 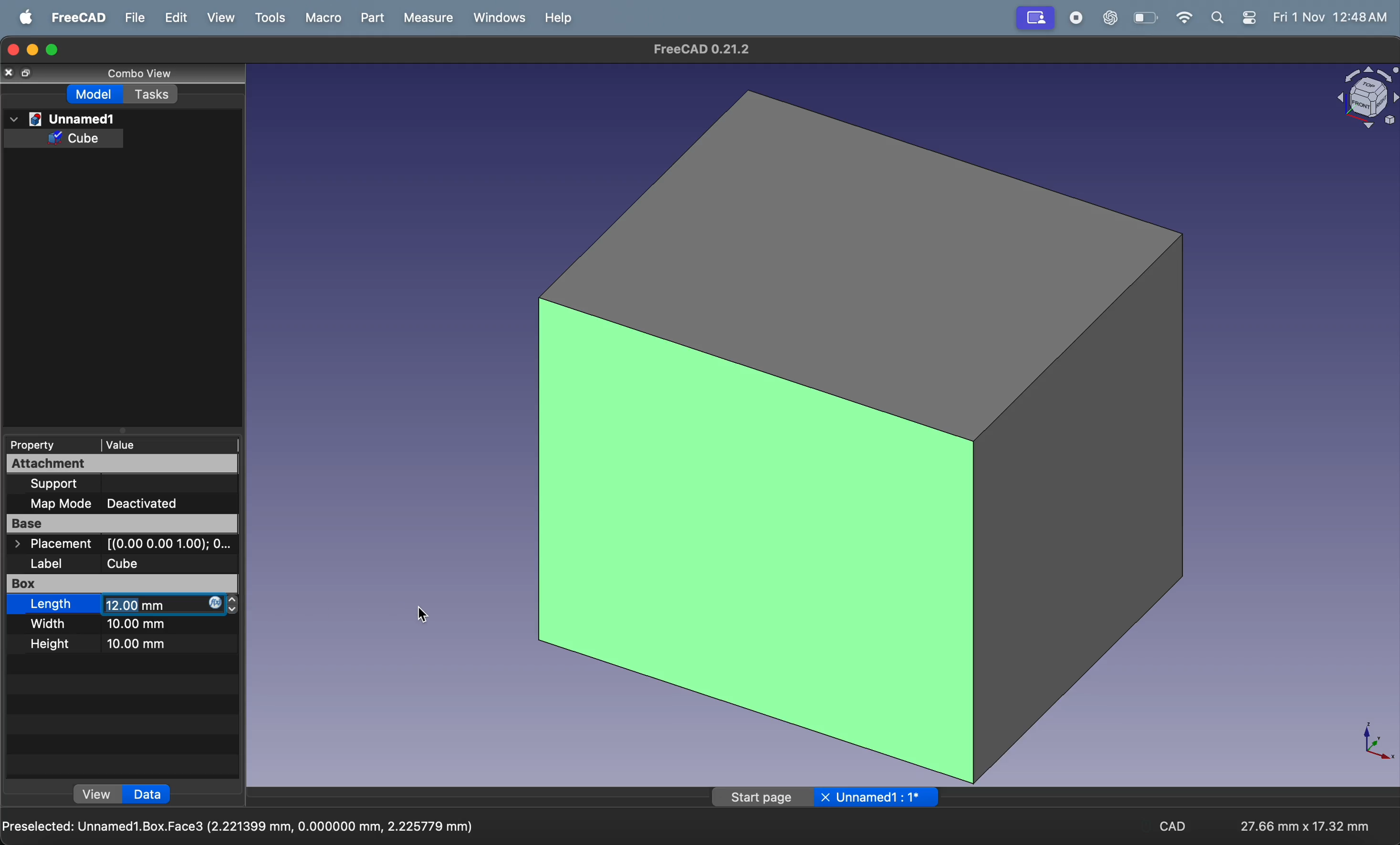 I want to click on attachment, so click(x=115, y=463).